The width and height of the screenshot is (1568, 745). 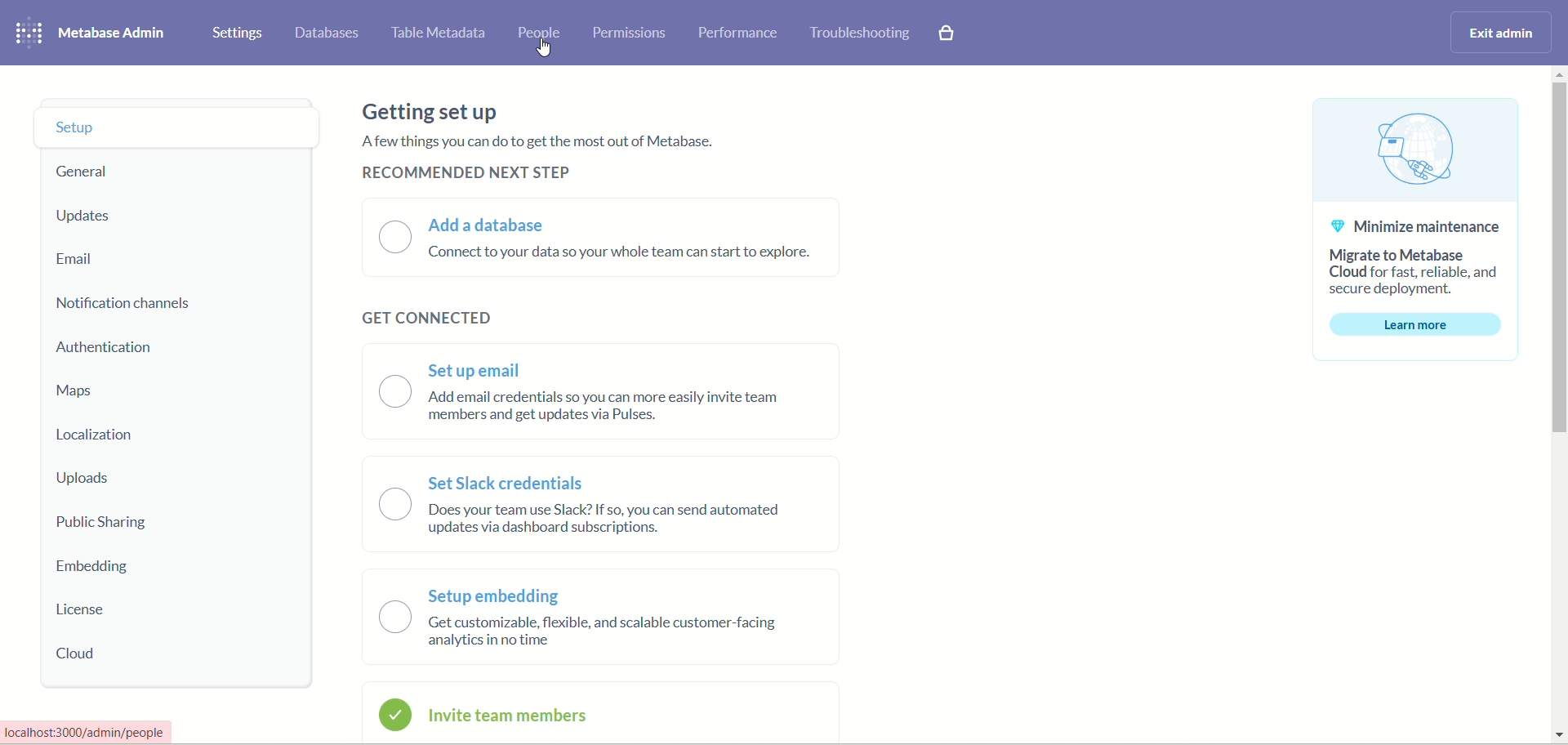 What do you see at coordinates (538, 142) in the screenshot?
I see `text` at bounding box center [538, 142].